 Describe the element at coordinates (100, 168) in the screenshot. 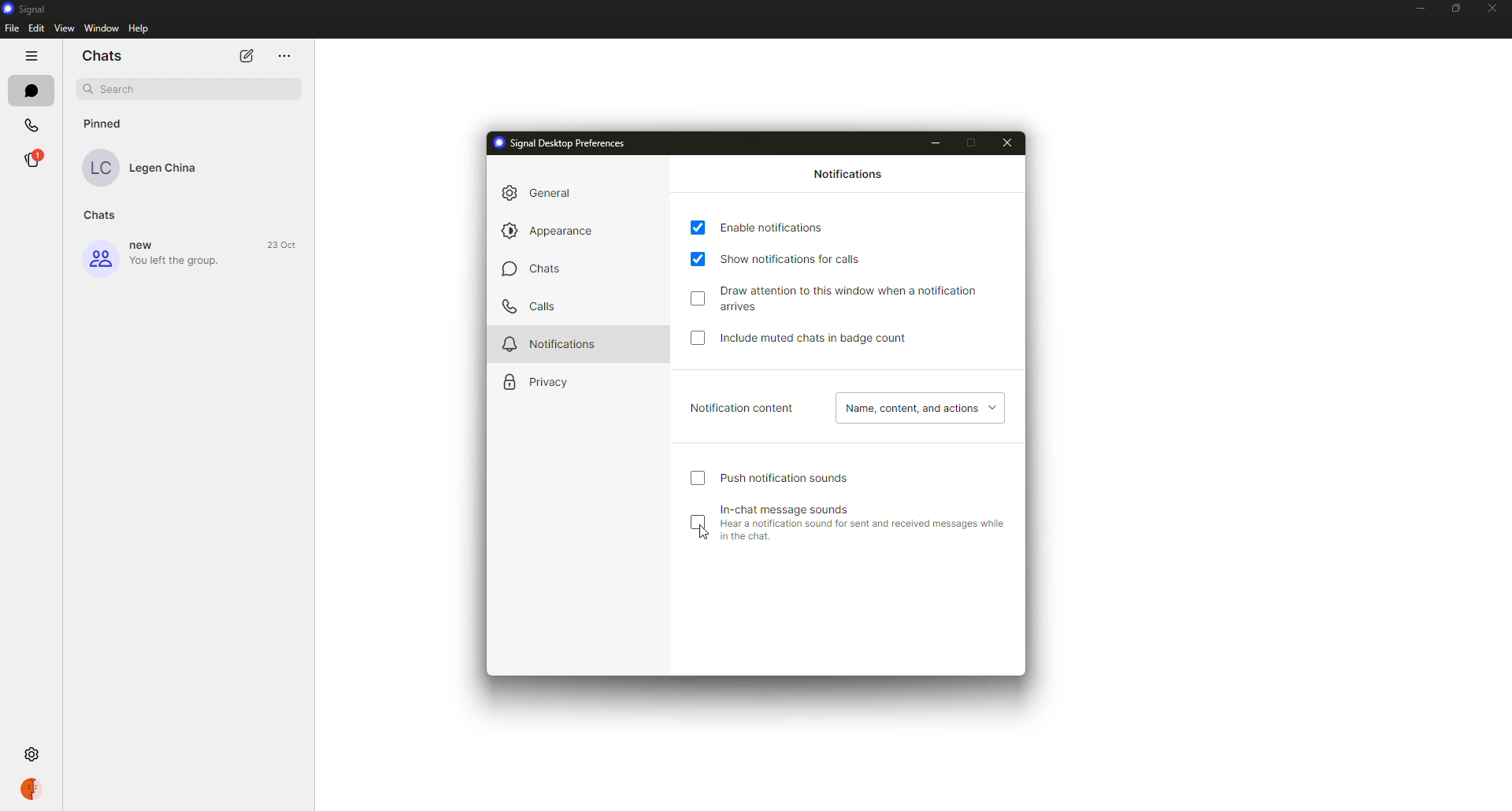

I see `LC` at that location.